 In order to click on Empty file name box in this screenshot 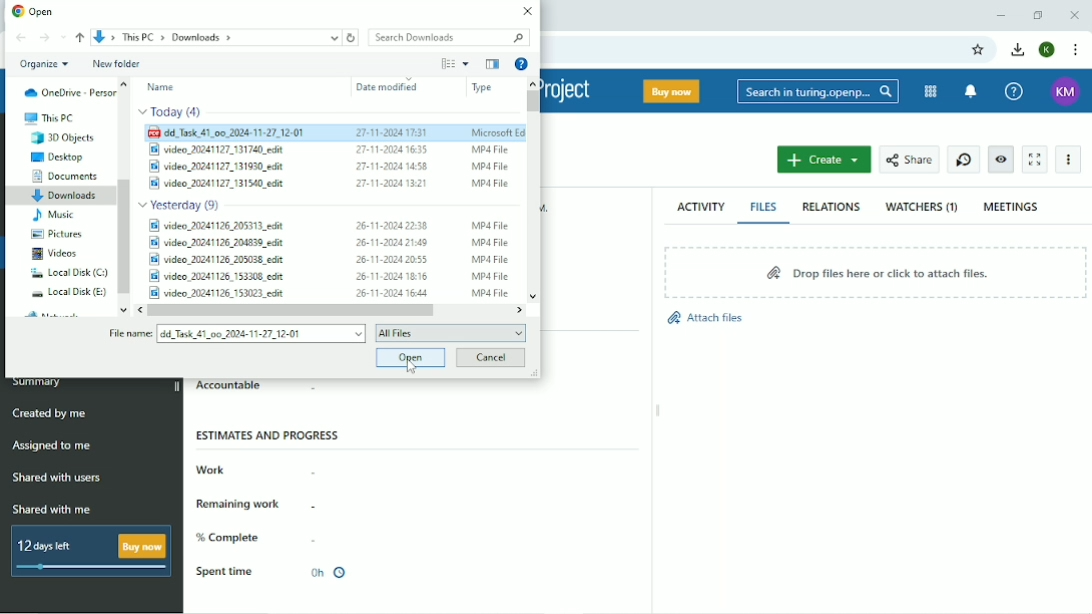, I will do `click(261, 334)`.